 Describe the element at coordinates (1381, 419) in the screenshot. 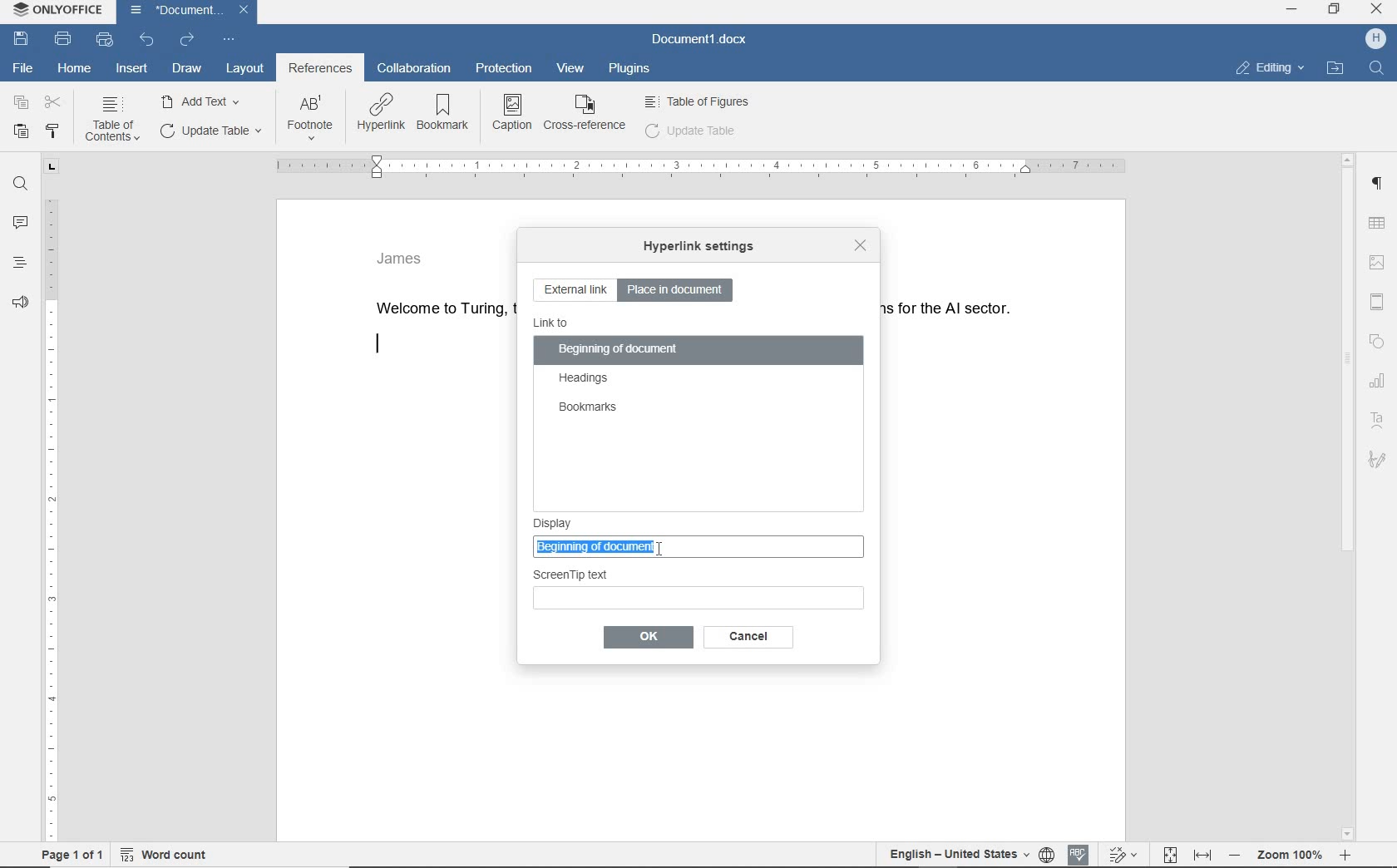

I see `Text art` at that location.